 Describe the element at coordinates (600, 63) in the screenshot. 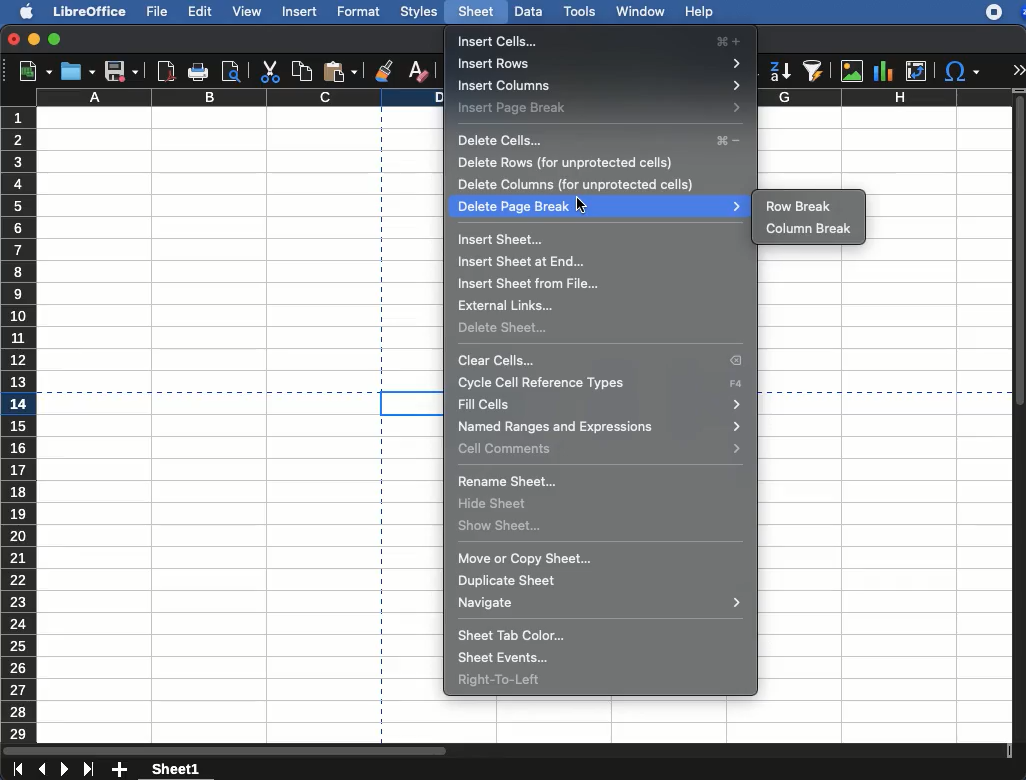

I see `insert rows` at that location.